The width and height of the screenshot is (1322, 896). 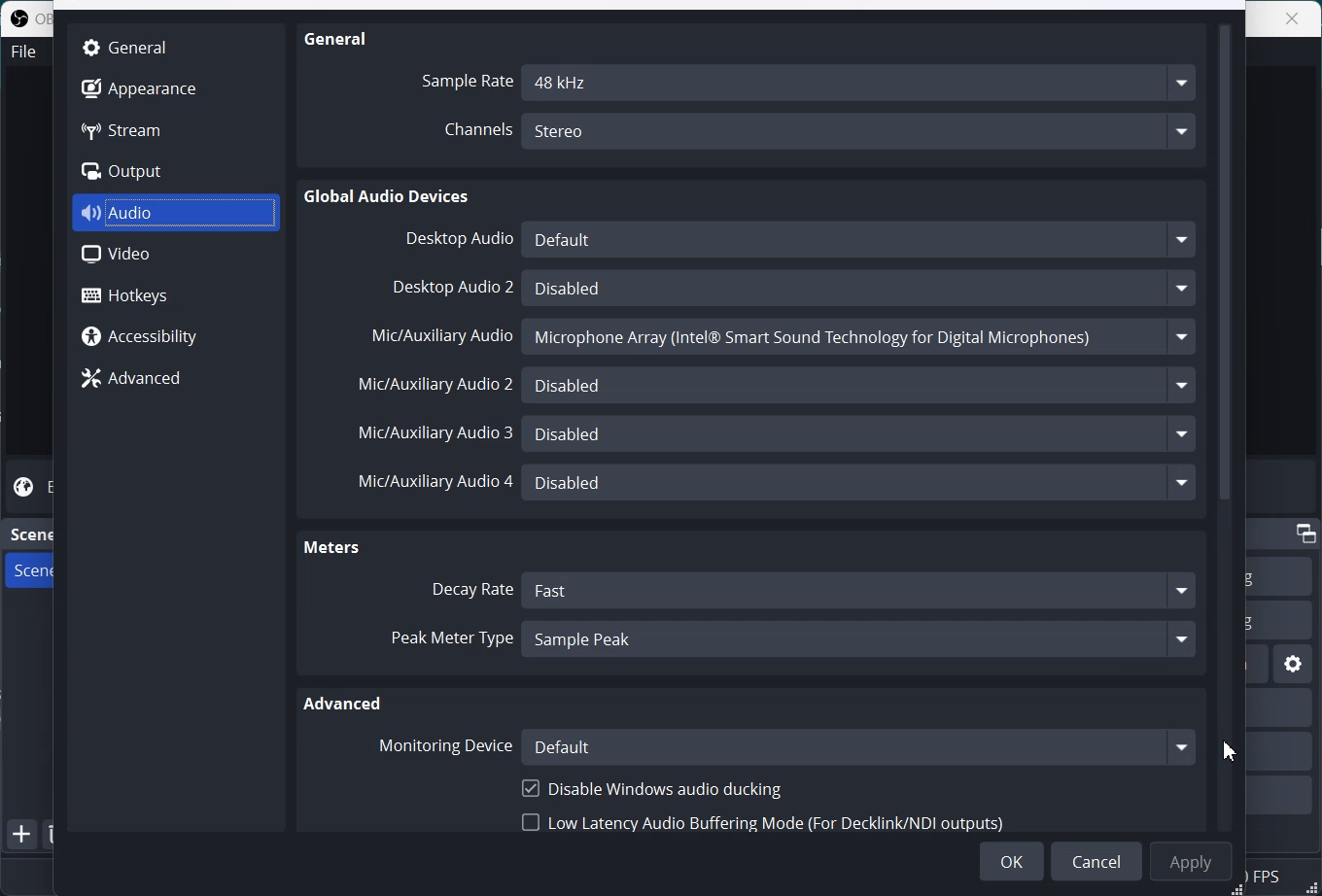 I want to click on Disabled, so click(x=860, y=385).